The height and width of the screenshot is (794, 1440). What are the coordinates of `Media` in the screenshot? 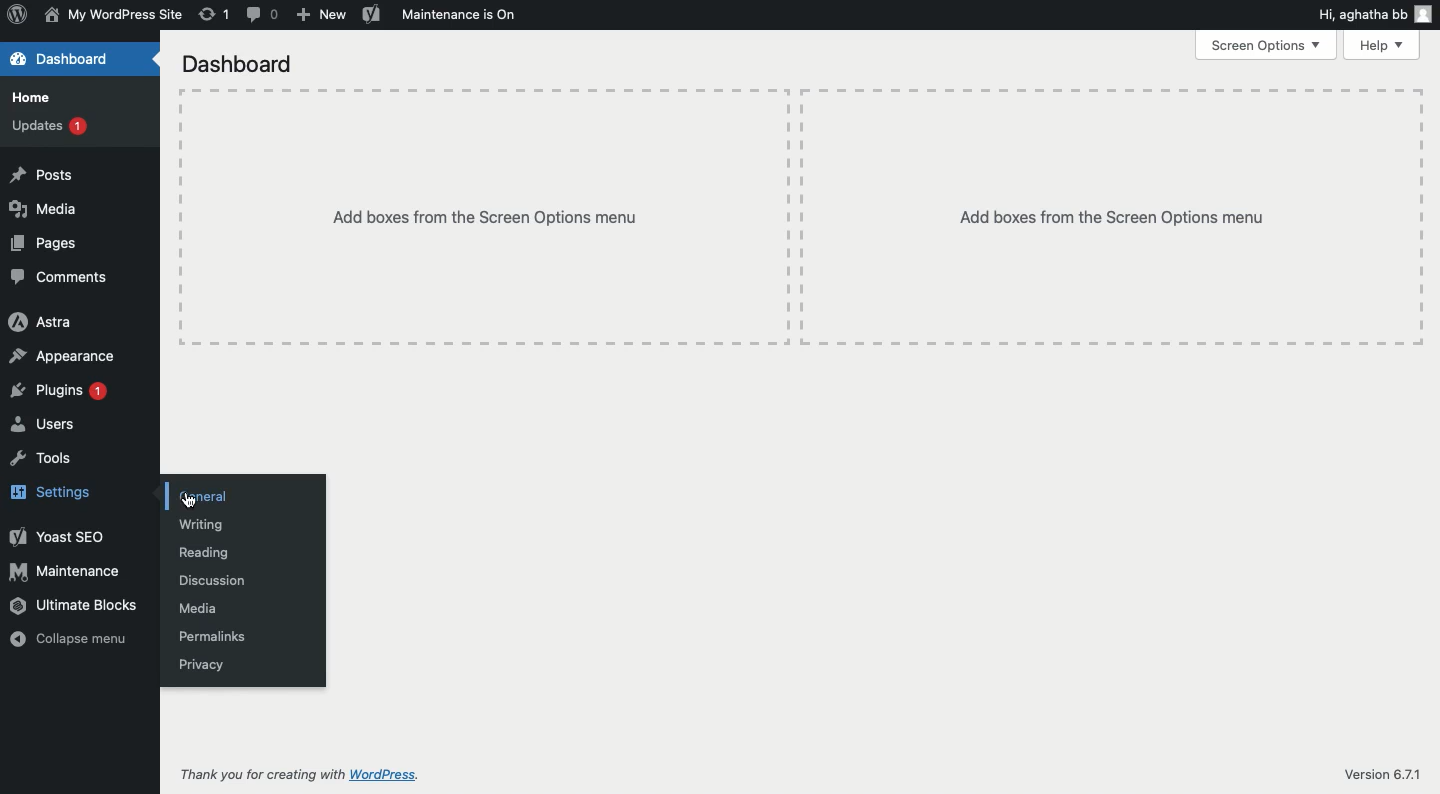 It's located at (43, 209).